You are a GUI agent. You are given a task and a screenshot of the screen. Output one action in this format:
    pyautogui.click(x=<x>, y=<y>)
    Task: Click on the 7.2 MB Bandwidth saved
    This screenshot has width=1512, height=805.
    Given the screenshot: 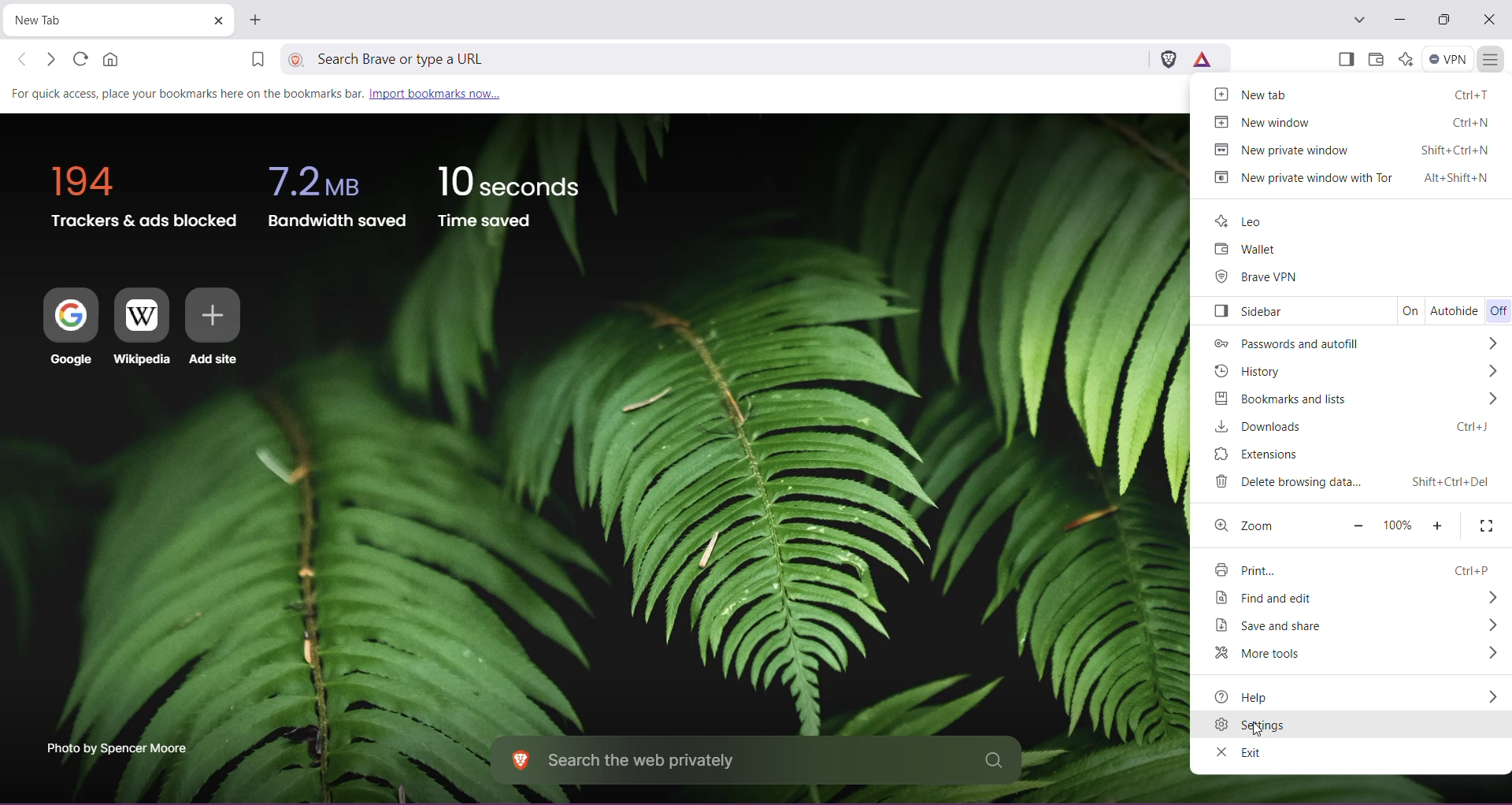 What is the action you would take?
    pyautogui.click(x=338, y=193)
    